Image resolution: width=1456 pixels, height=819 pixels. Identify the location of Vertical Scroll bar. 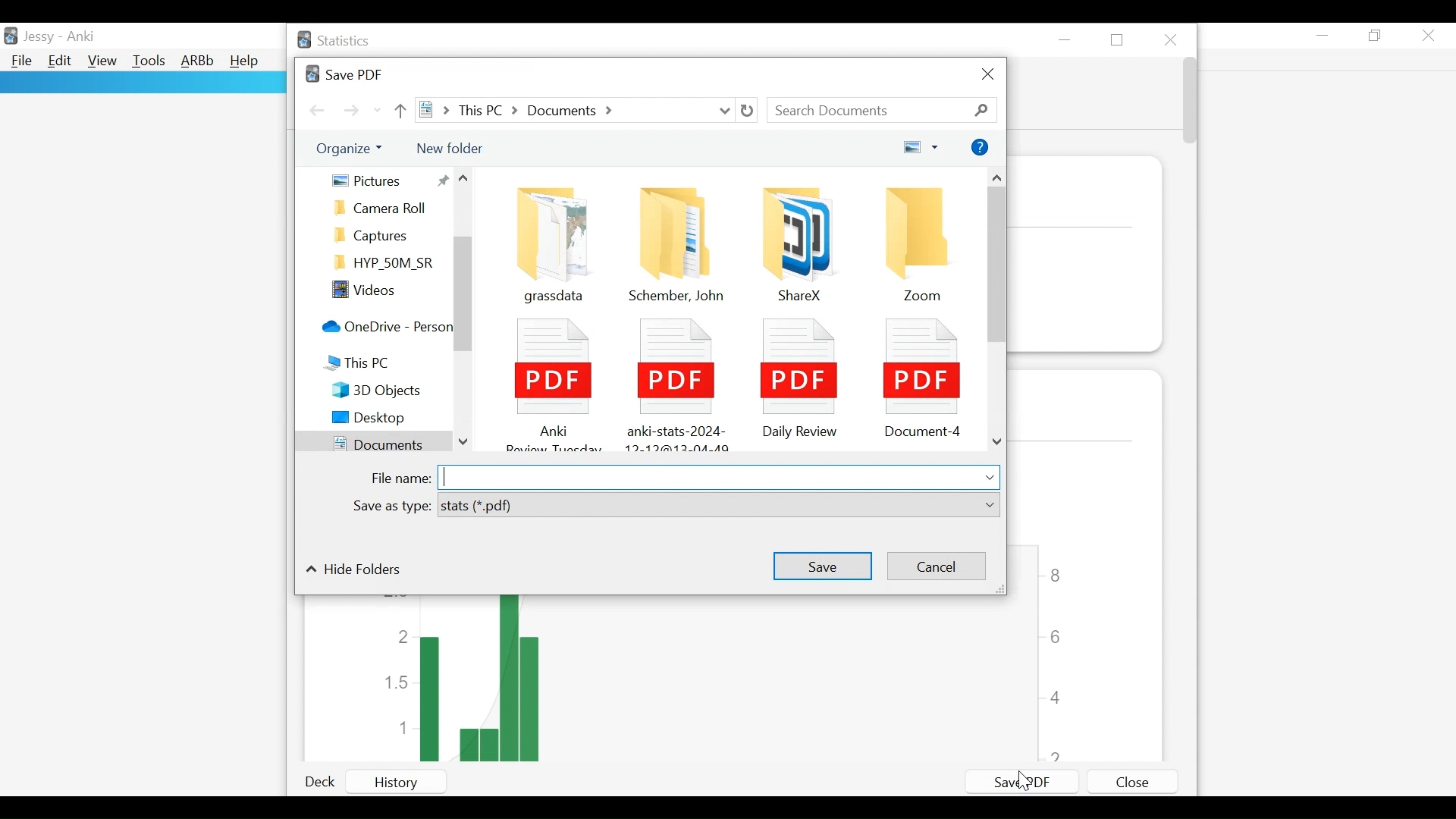
(463, 296).